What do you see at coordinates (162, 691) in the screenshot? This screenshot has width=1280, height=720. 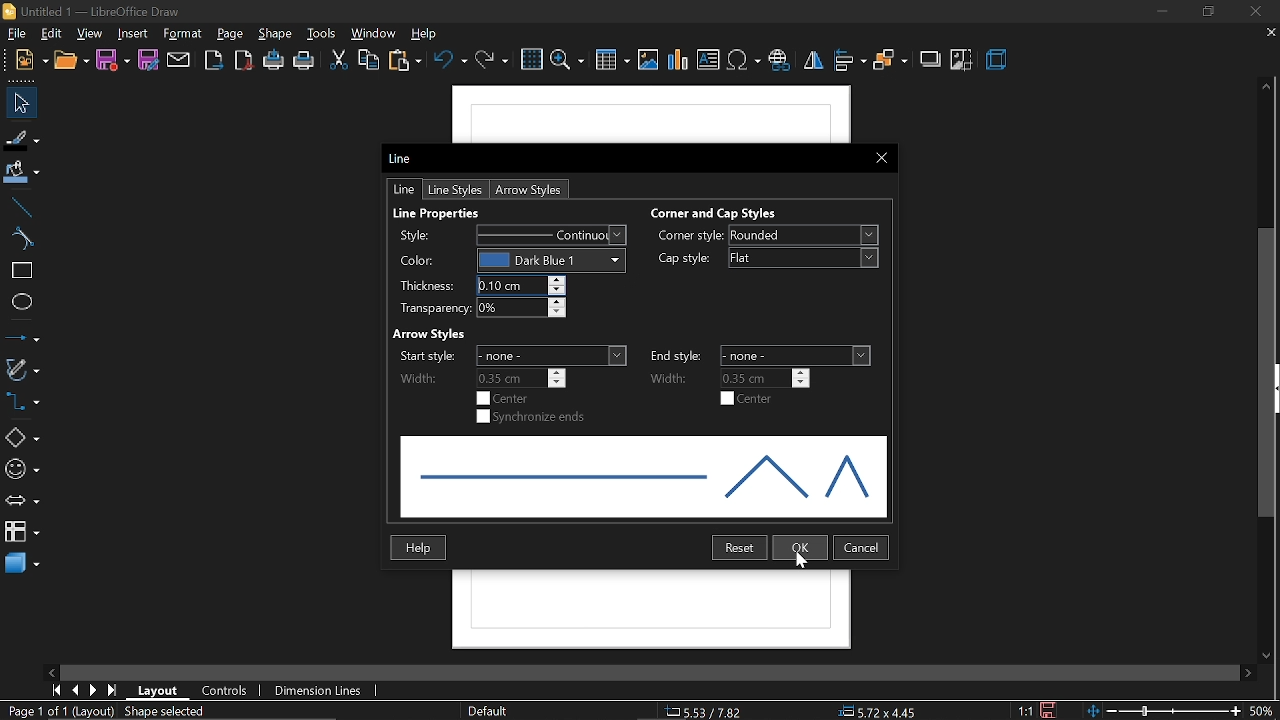 I see `layout` at bounding box center [162, 691].